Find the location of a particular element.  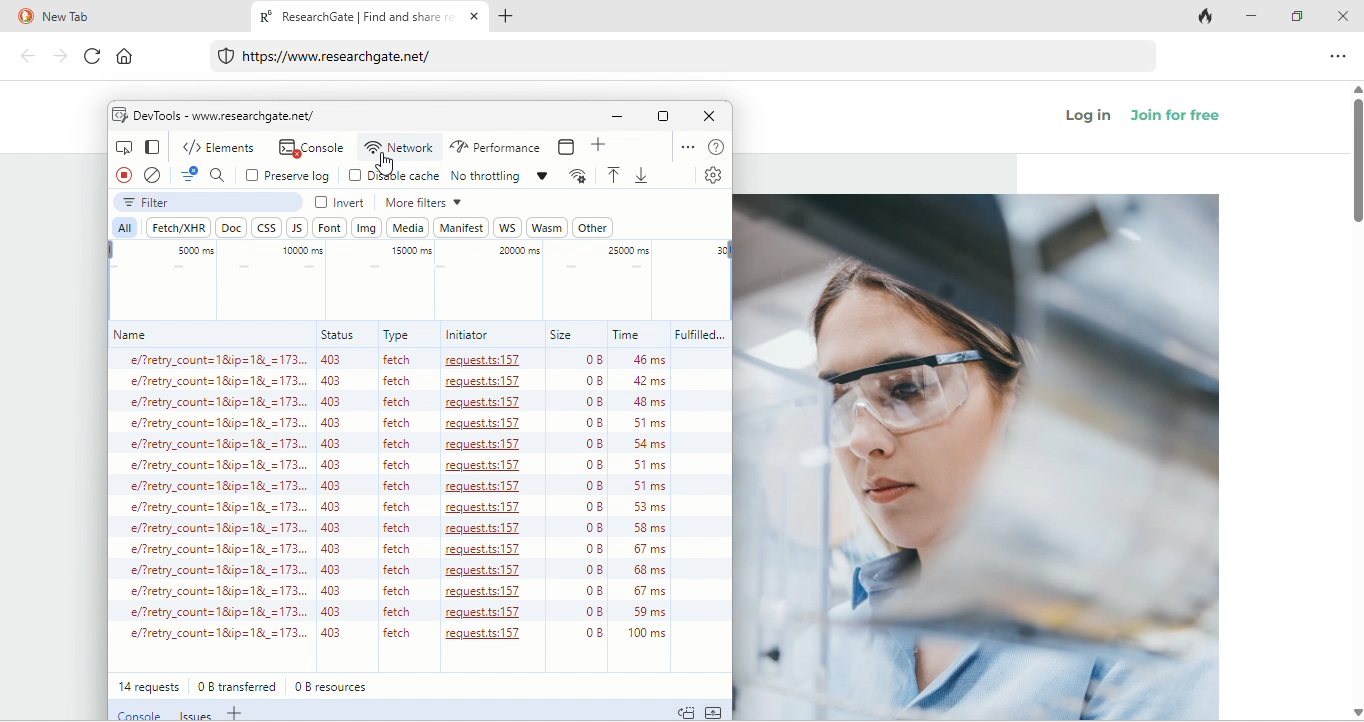

filter is located at coordinates (209, 203).